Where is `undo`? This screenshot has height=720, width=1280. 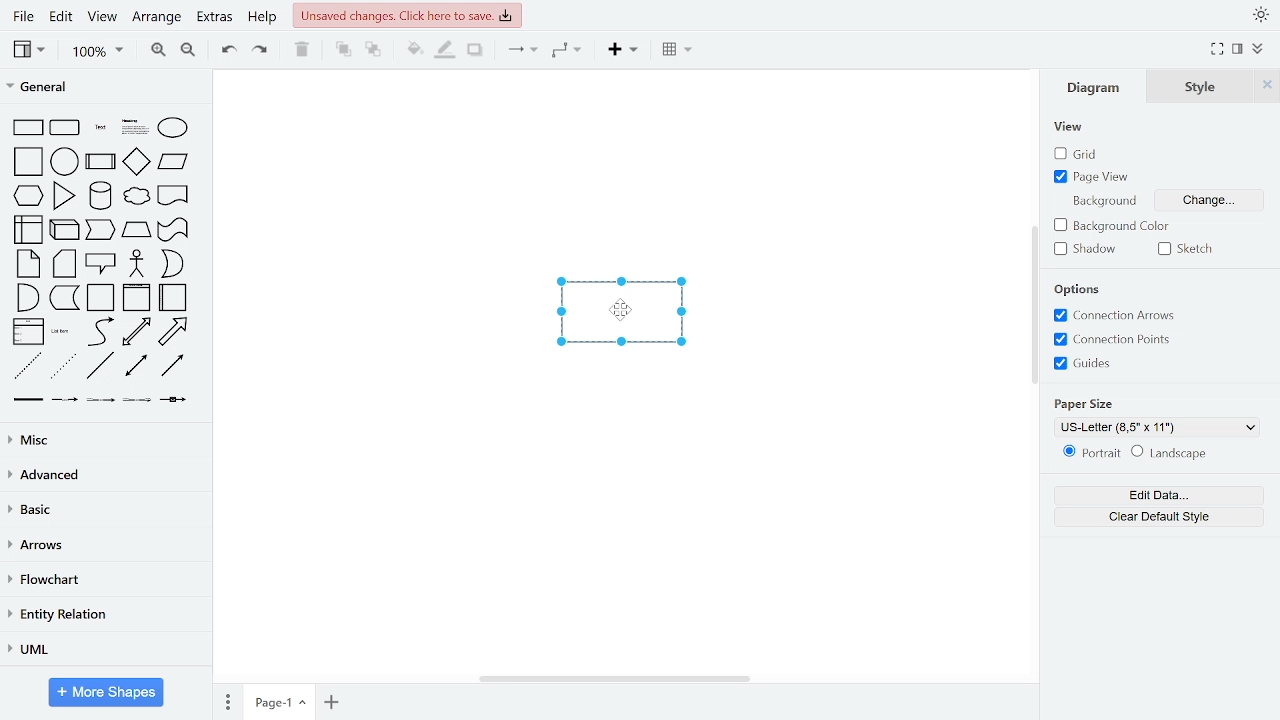
undo is located at coordinates (229, 52).